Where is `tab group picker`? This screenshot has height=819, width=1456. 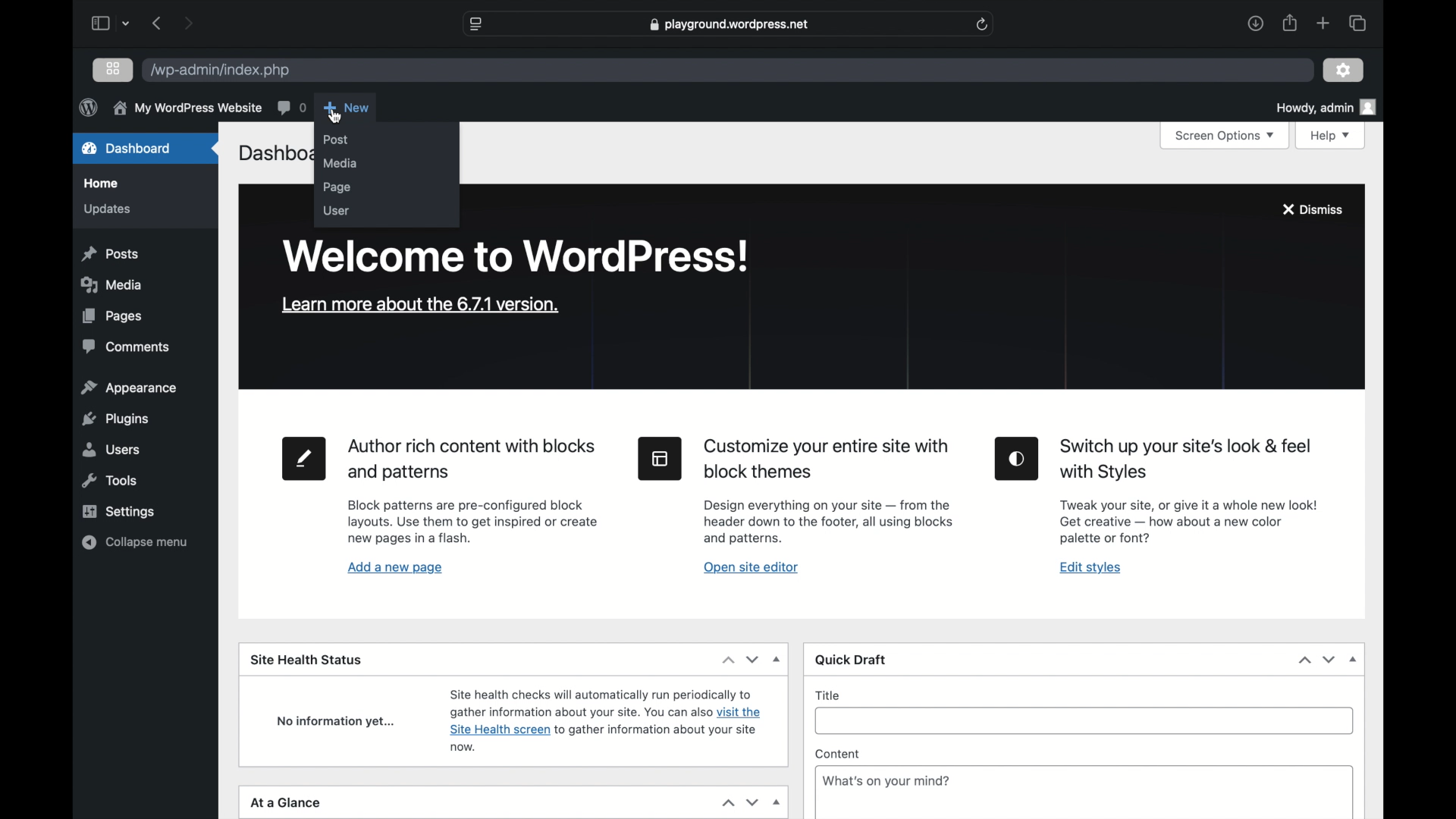
tab group picker is located at coordinates (127, 24).